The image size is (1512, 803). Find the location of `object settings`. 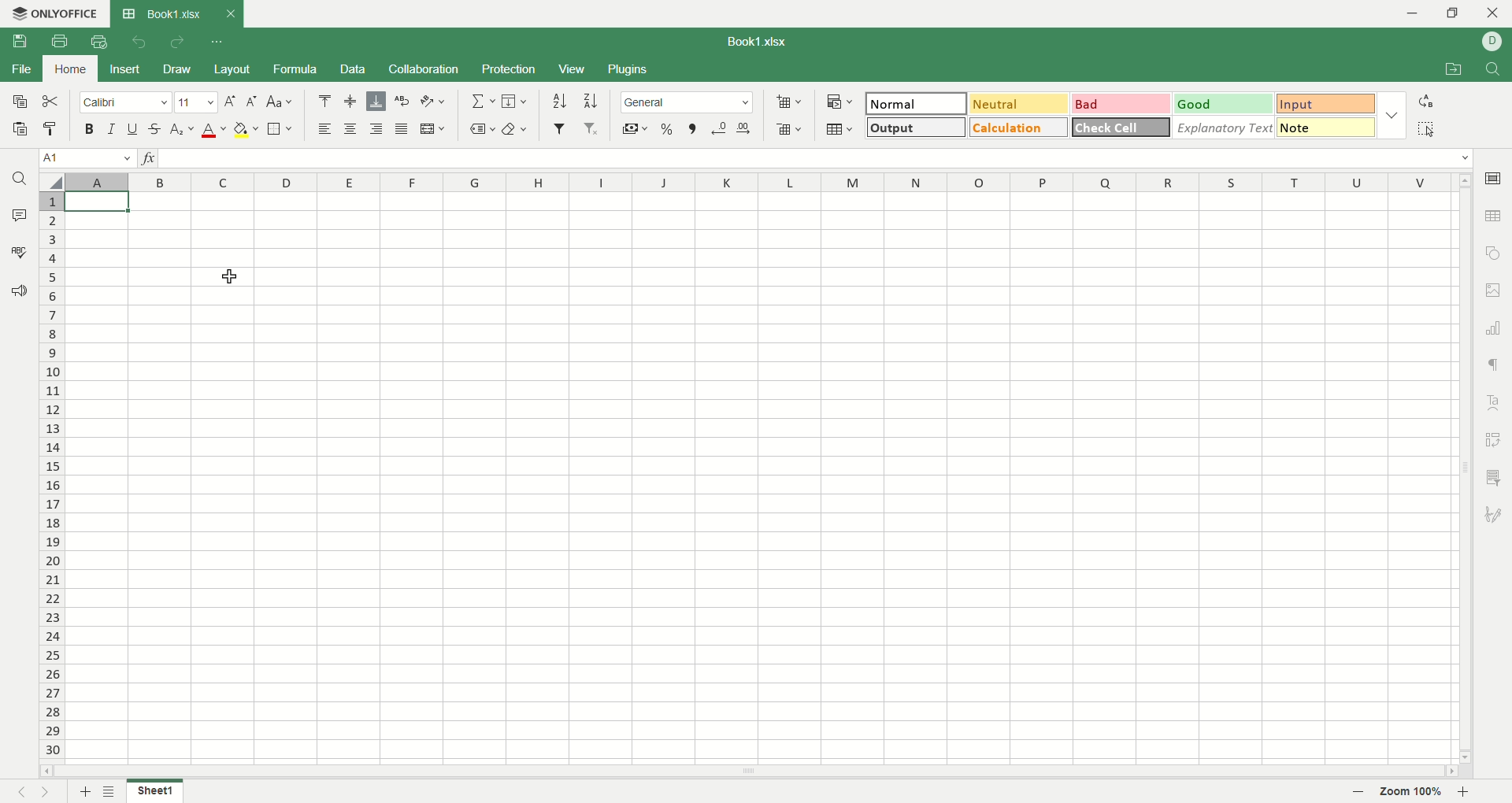

object settings is located at coordinates (1493, 255).